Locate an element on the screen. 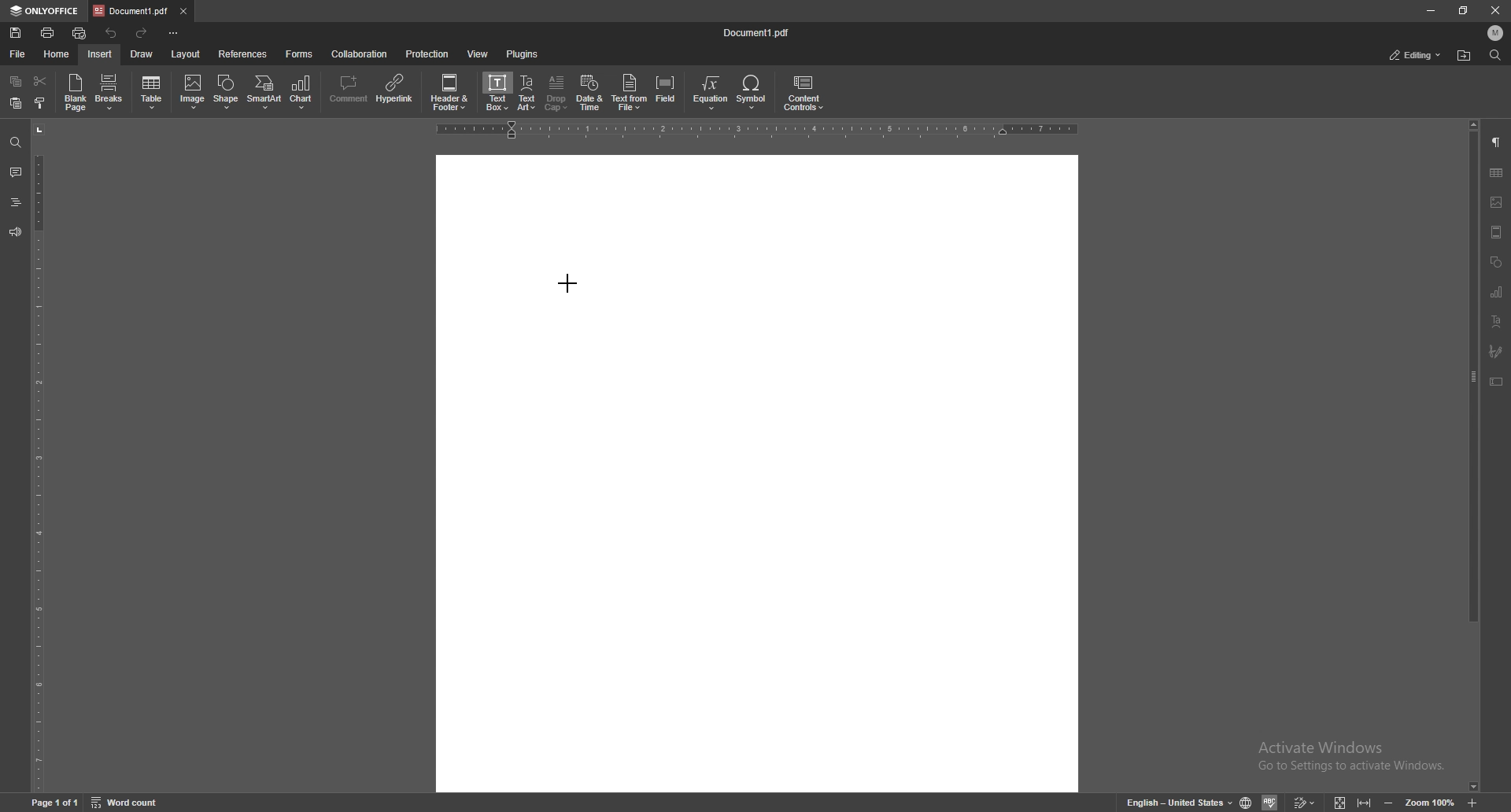 The height and width of the screenshot is (812, 1511). expand is located at coordinates (1350, 803).